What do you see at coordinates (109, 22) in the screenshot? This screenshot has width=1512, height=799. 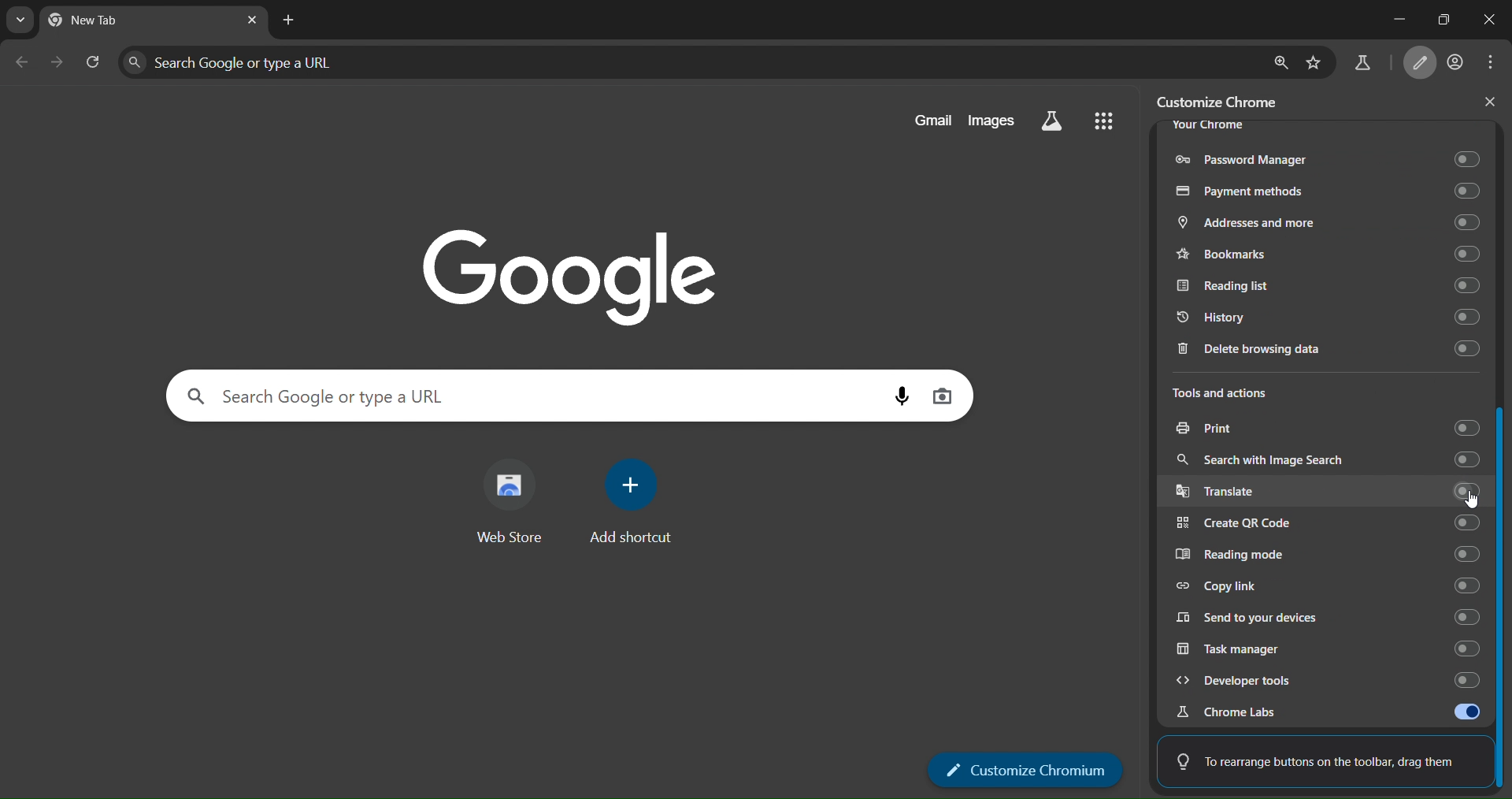 I see `current tab` at bounding box center [109, 22].